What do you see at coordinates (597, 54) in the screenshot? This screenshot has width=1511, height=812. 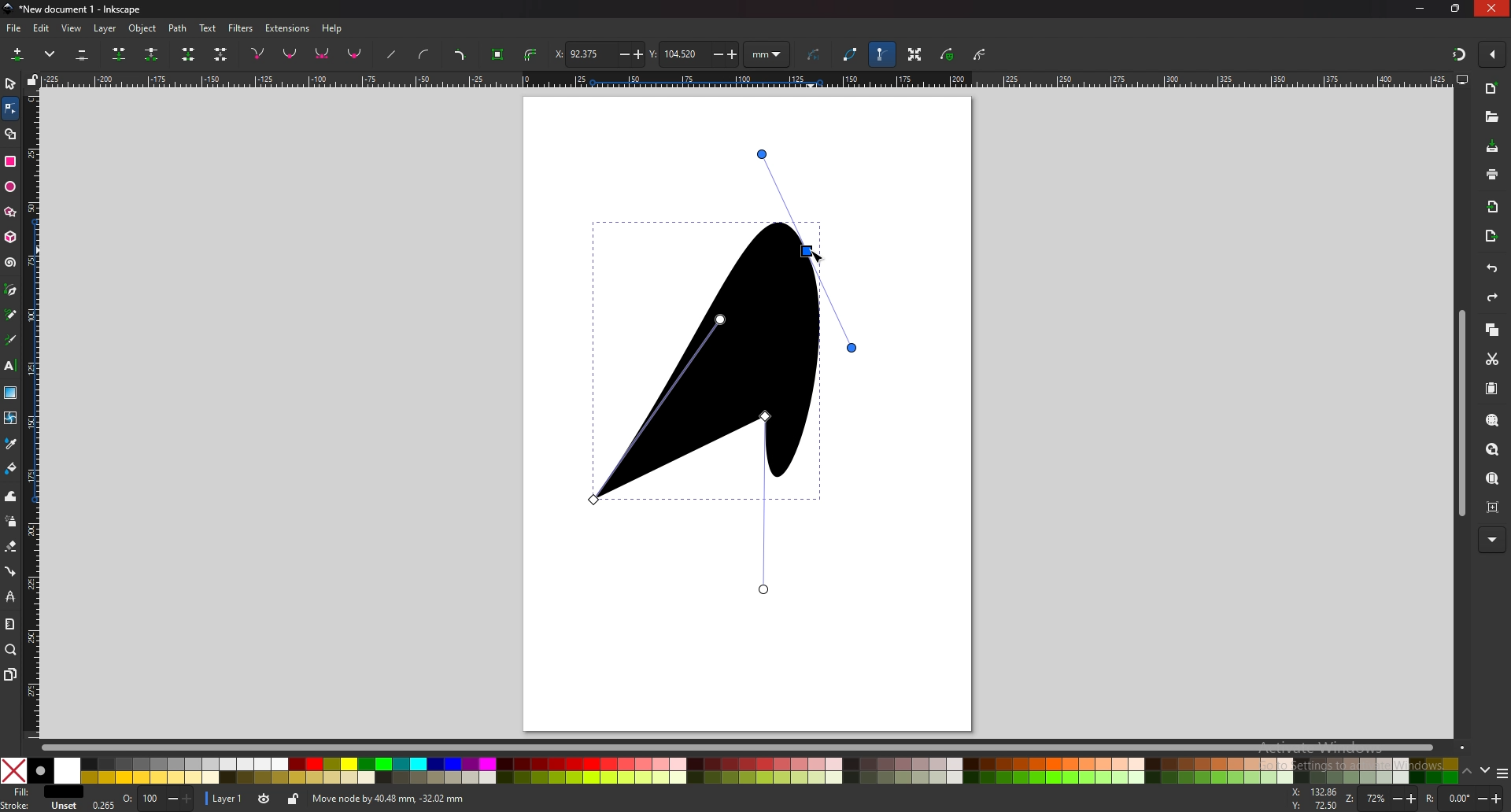 I see `x coordinate` at bounding box center [597, 54].